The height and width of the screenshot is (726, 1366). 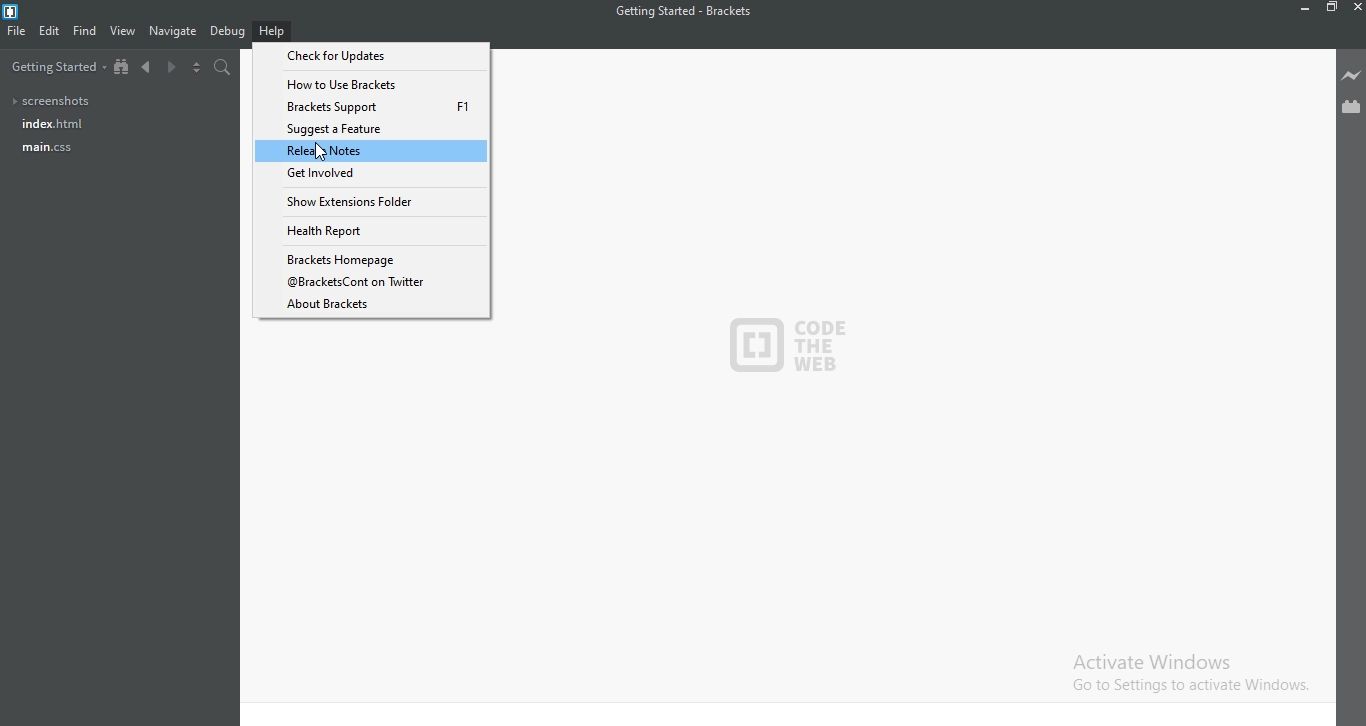 What do you see at coordinates (371, 257) in the screenshot?
I see `Brackets Homepage` at bounding box center [371, 257].